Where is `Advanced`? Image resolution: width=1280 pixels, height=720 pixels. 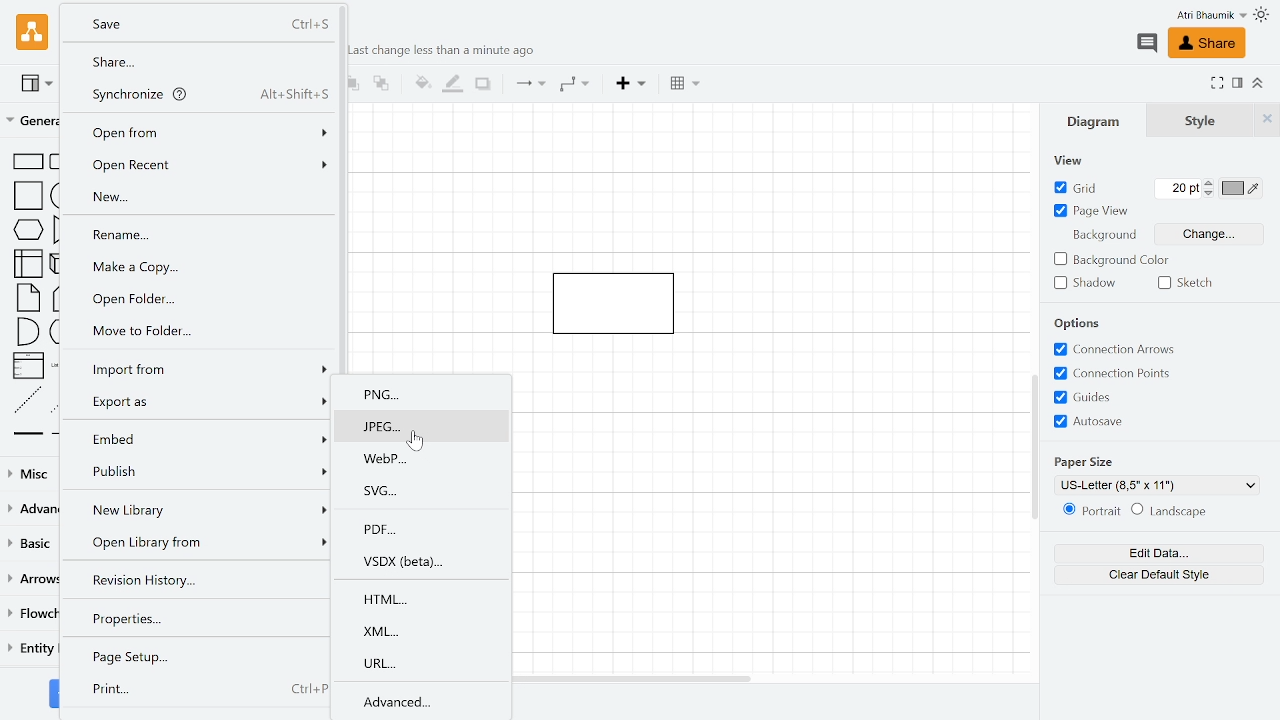
Advanced is located at coordinates (424, 701).